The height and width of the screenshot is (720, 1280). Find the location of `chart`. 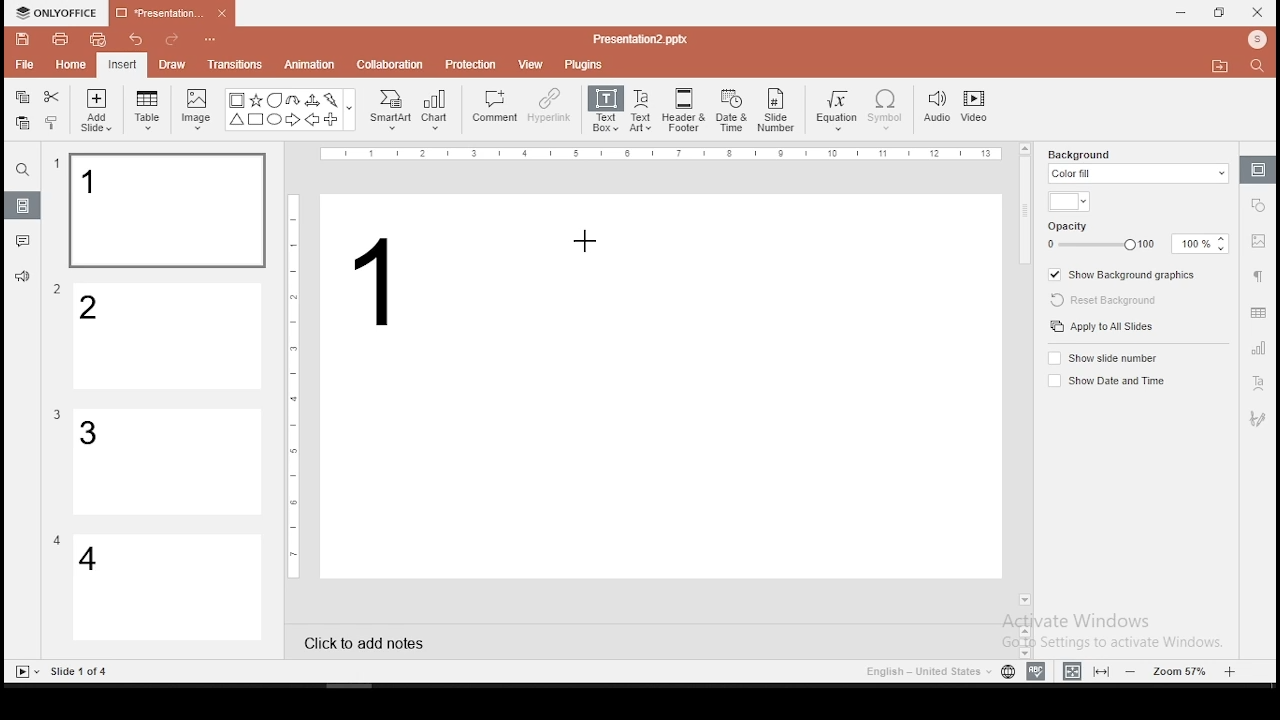

chart is located at coordinates (436, 109).